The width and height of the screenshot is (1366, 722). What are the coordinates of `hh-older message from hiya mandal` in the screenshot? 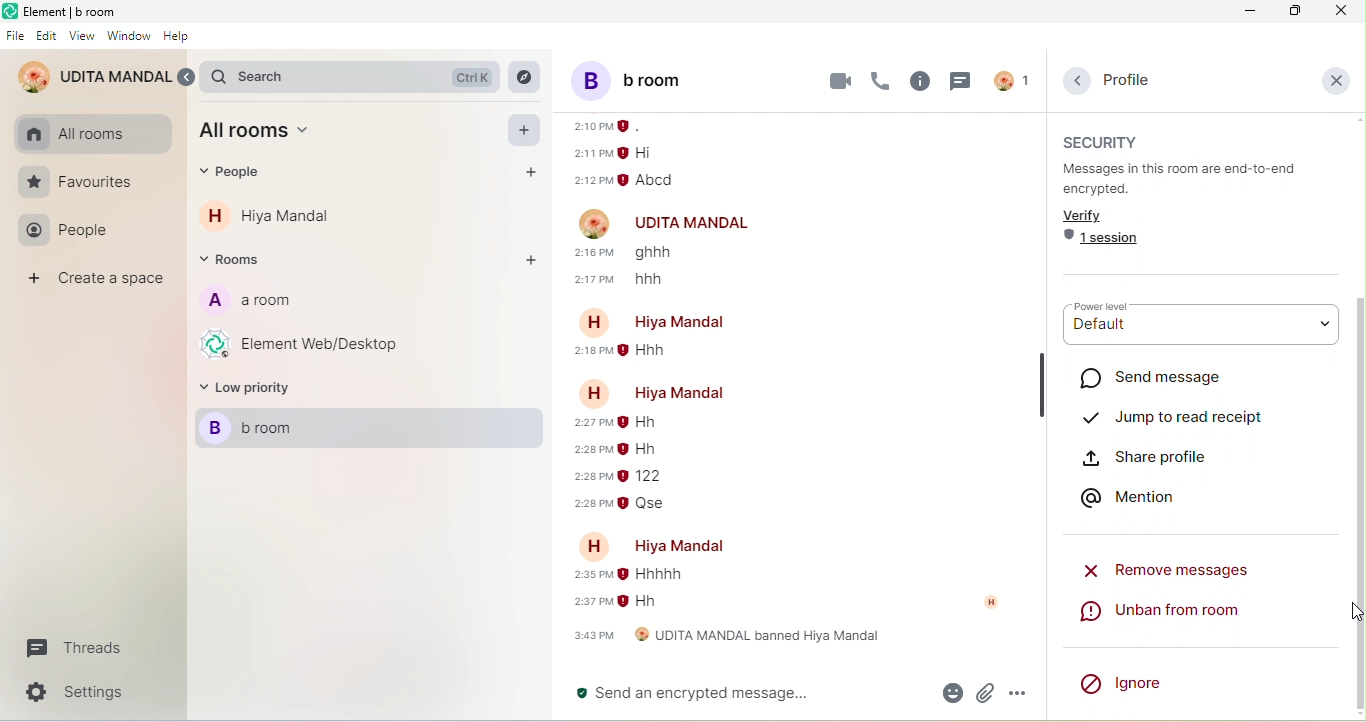 It's located at (639, 448).